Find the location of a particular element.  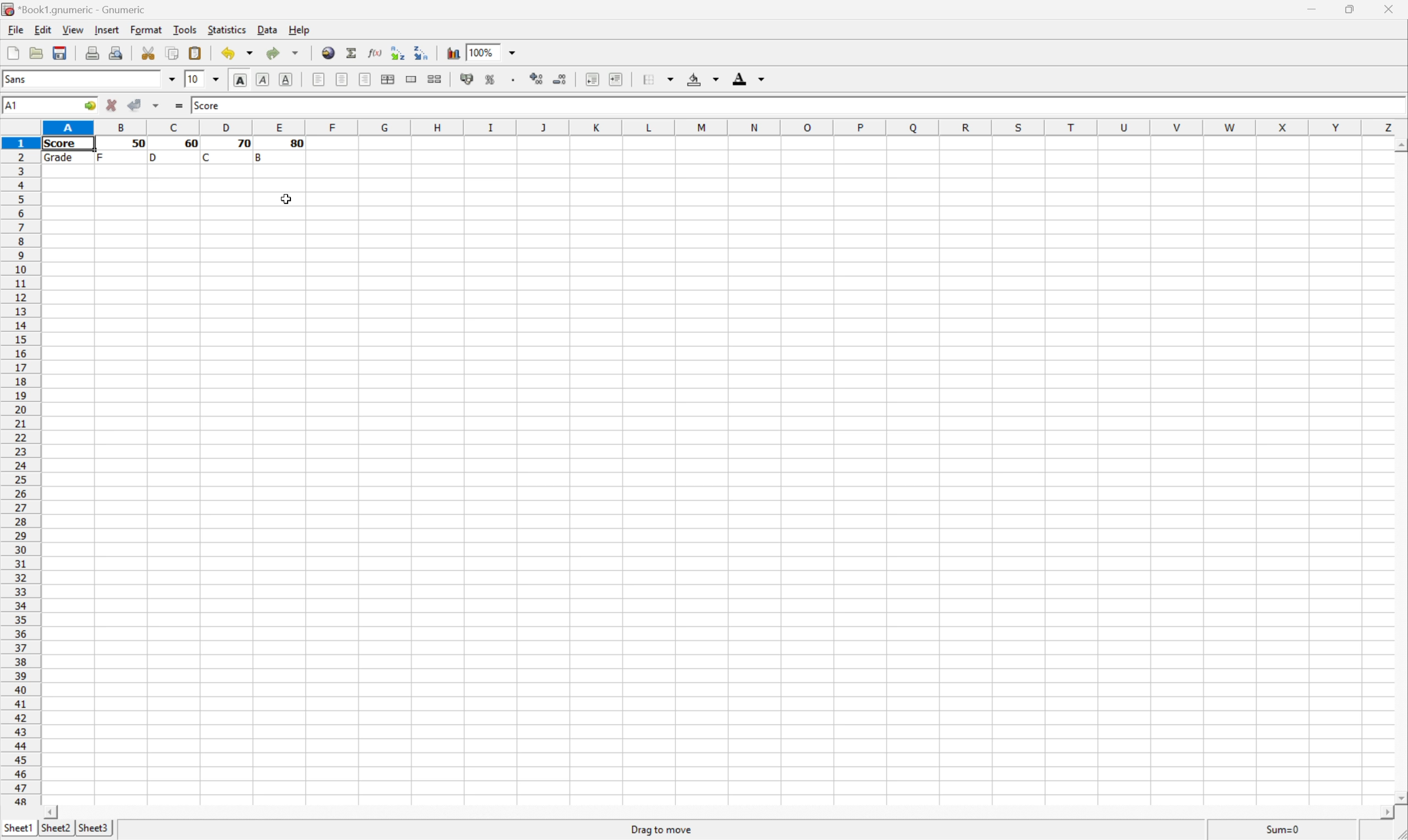

Sum into the current cell is located at coordinates (352, 54).